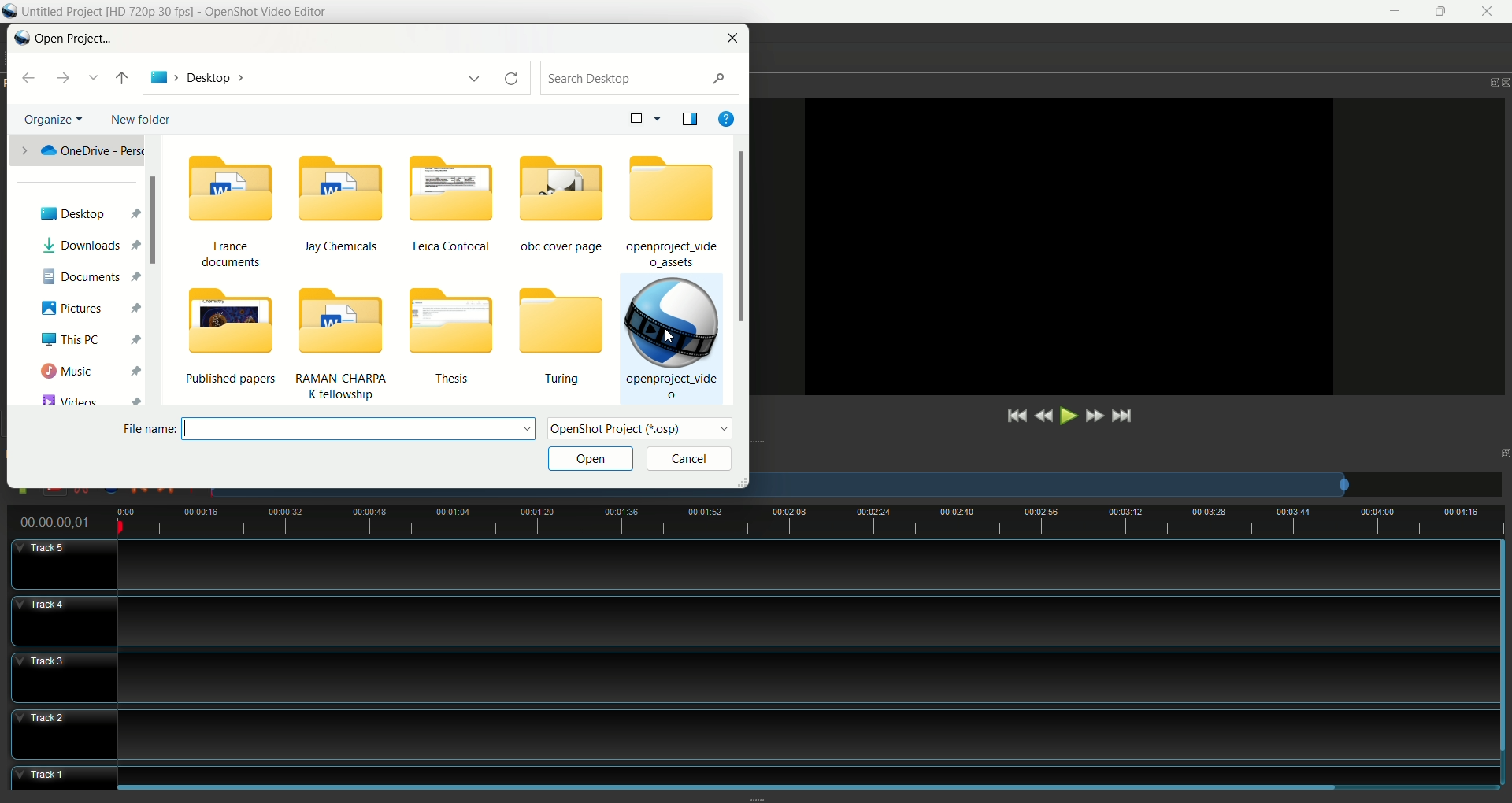 The width and height of the screenshot is (1512, 803). Describe the element at coordinates (670, 337) in the screenshot. I see `openproject_vide
jd` at that location.